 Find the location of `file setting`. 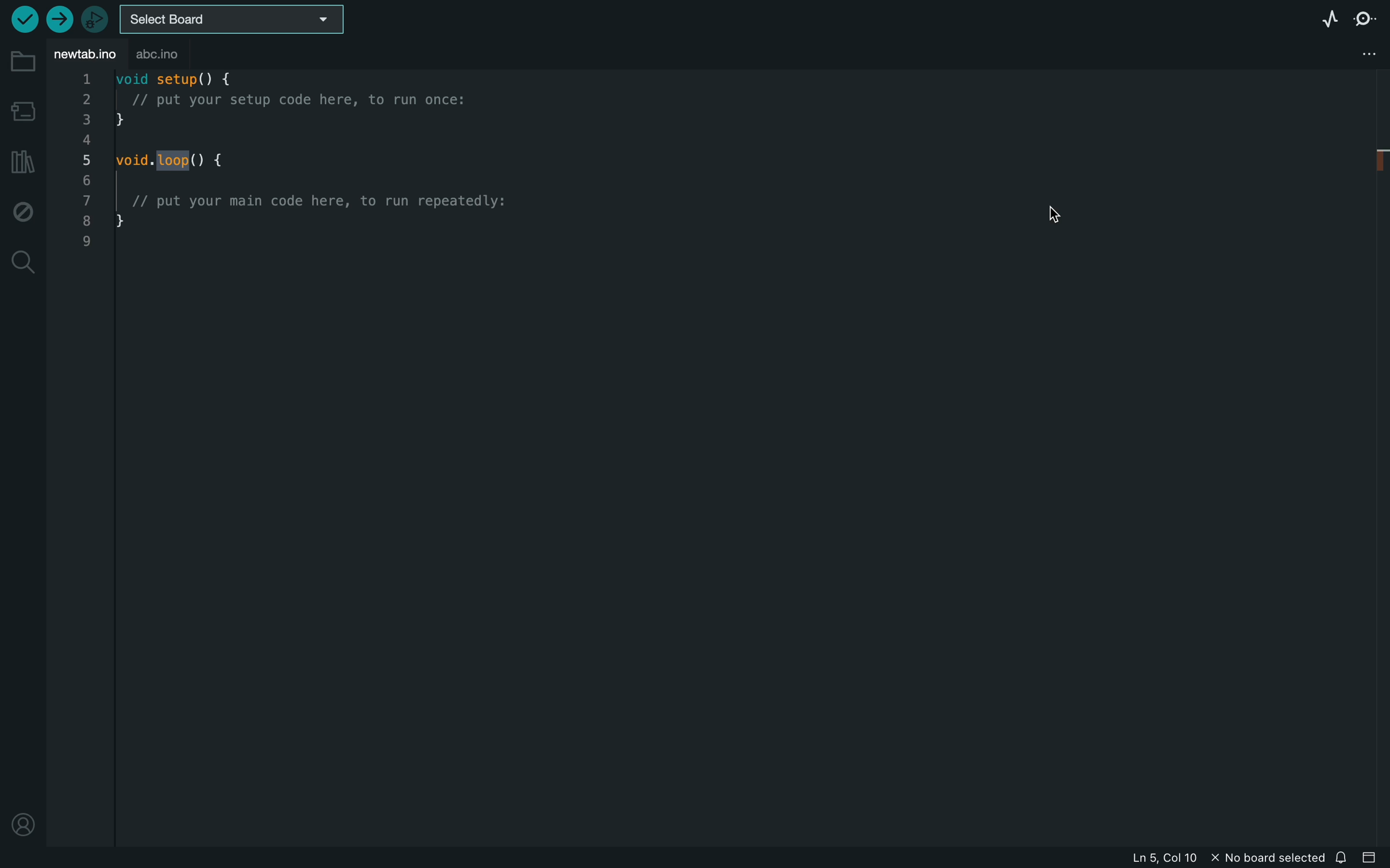

file setting is located at coordinates (1359, 53).